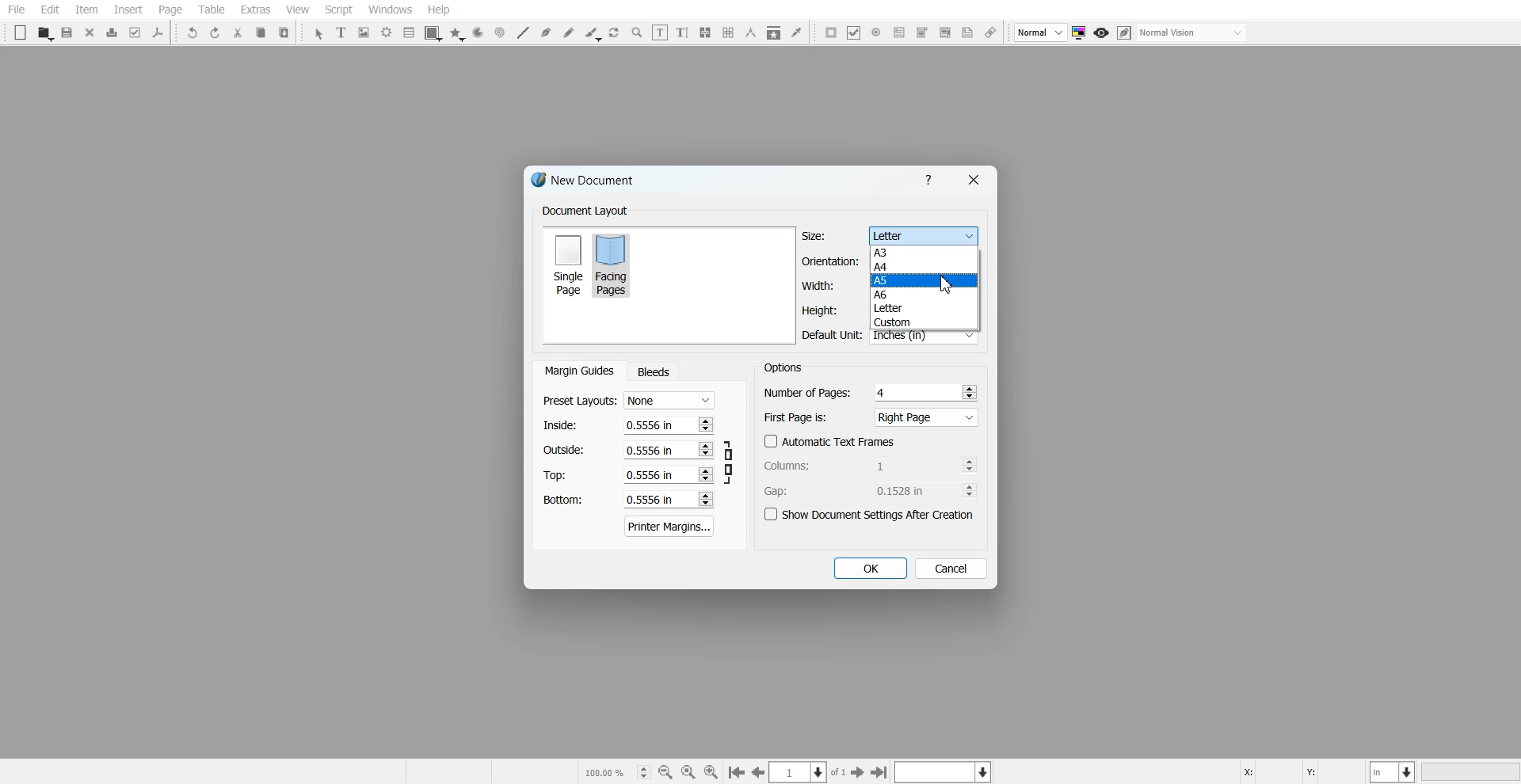  What do you see at coordinates (628, 401) in the screenshot?
I see `Preset Layout` at bounding box center [628, 401].